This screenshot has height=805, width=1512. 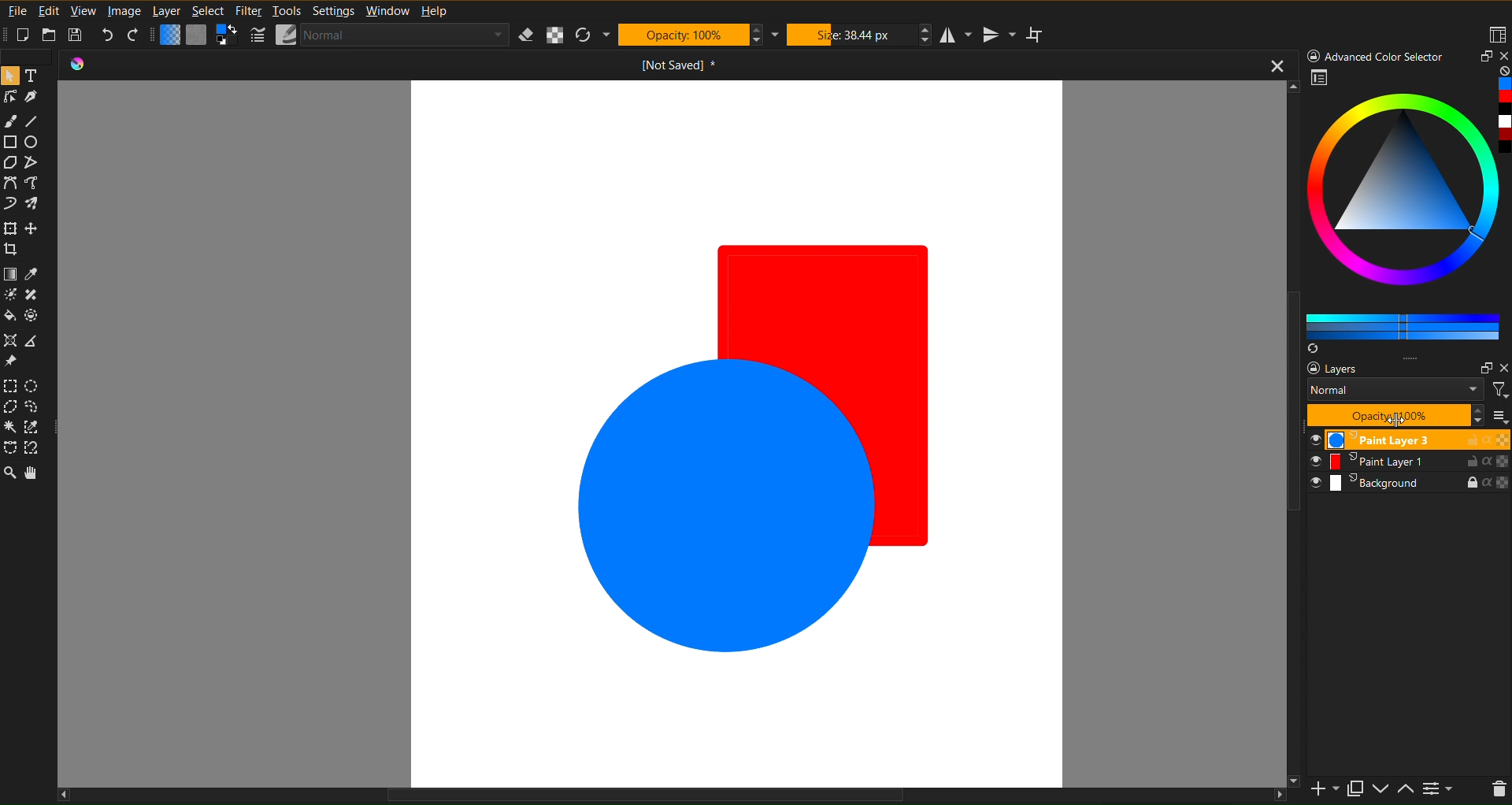 What do you see at coordinates (107, 35) in the screenshot?
I see `Undo` at bounding box center [107, 35].